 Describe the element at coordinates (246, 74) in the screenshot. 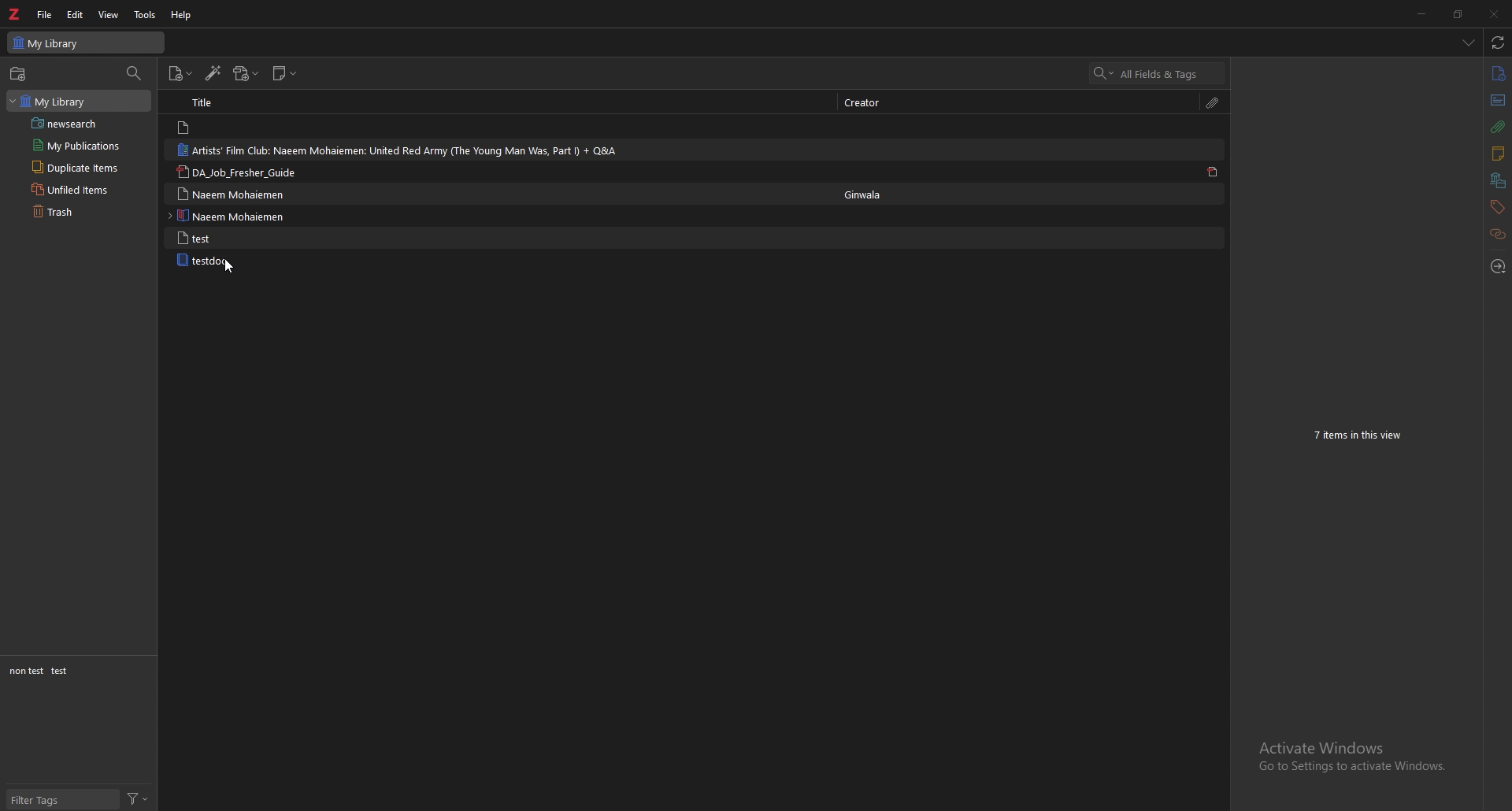

I see `add attachments` at that location.